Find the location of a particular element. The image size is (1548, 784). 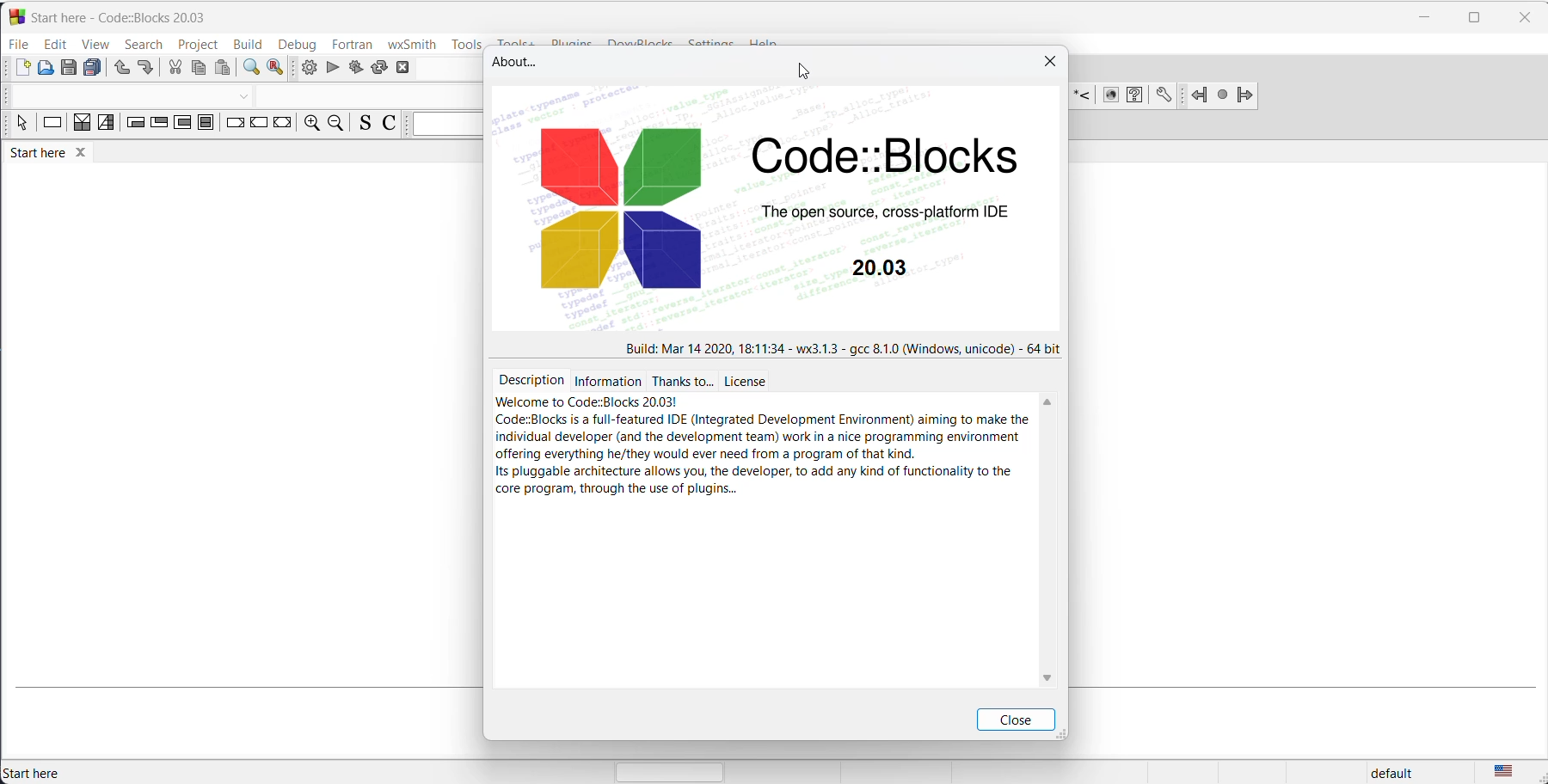

jump back is located at coordinates (1202, 94).